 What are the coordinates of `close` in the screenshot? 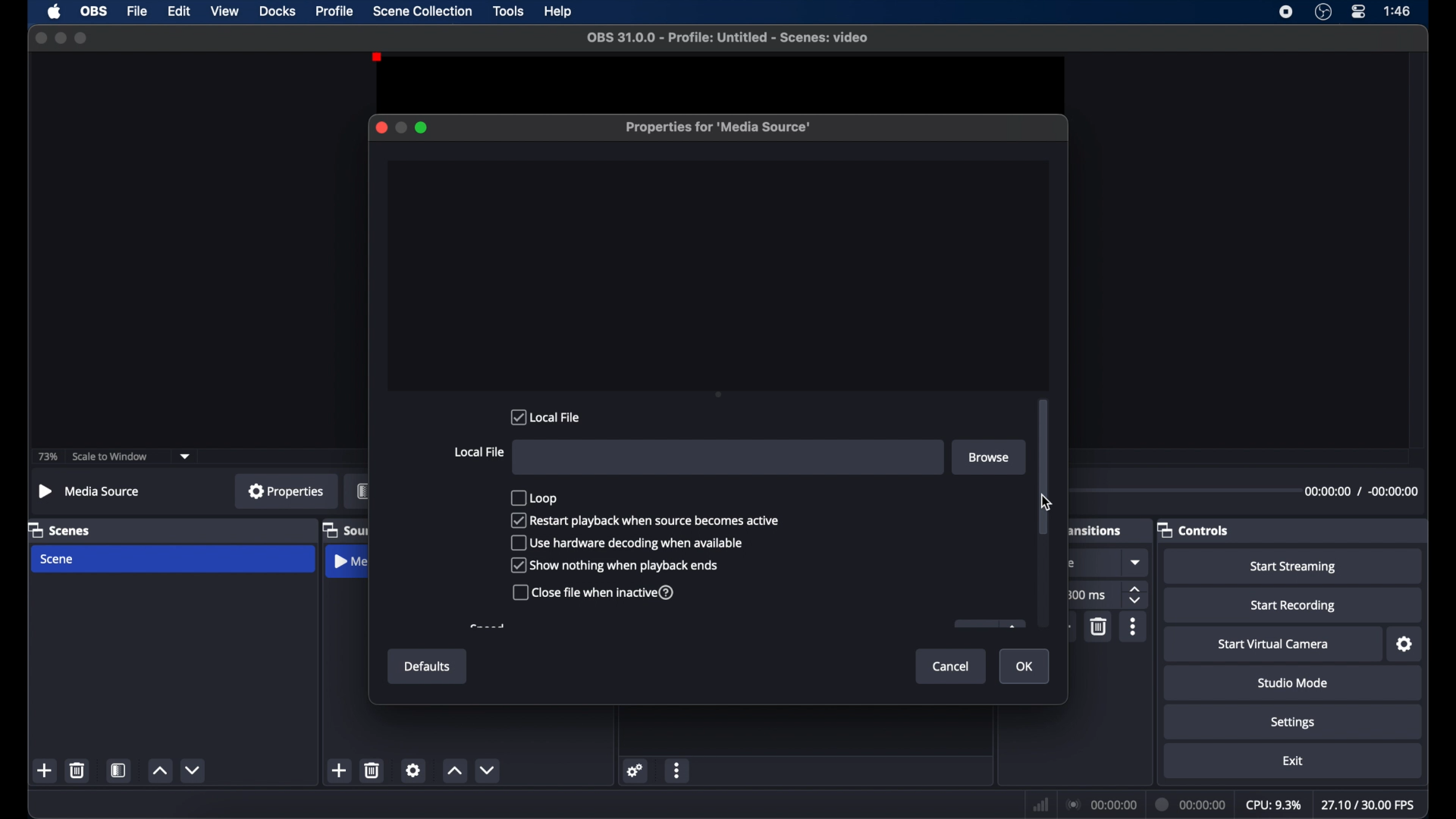 It's located at (381, 127).